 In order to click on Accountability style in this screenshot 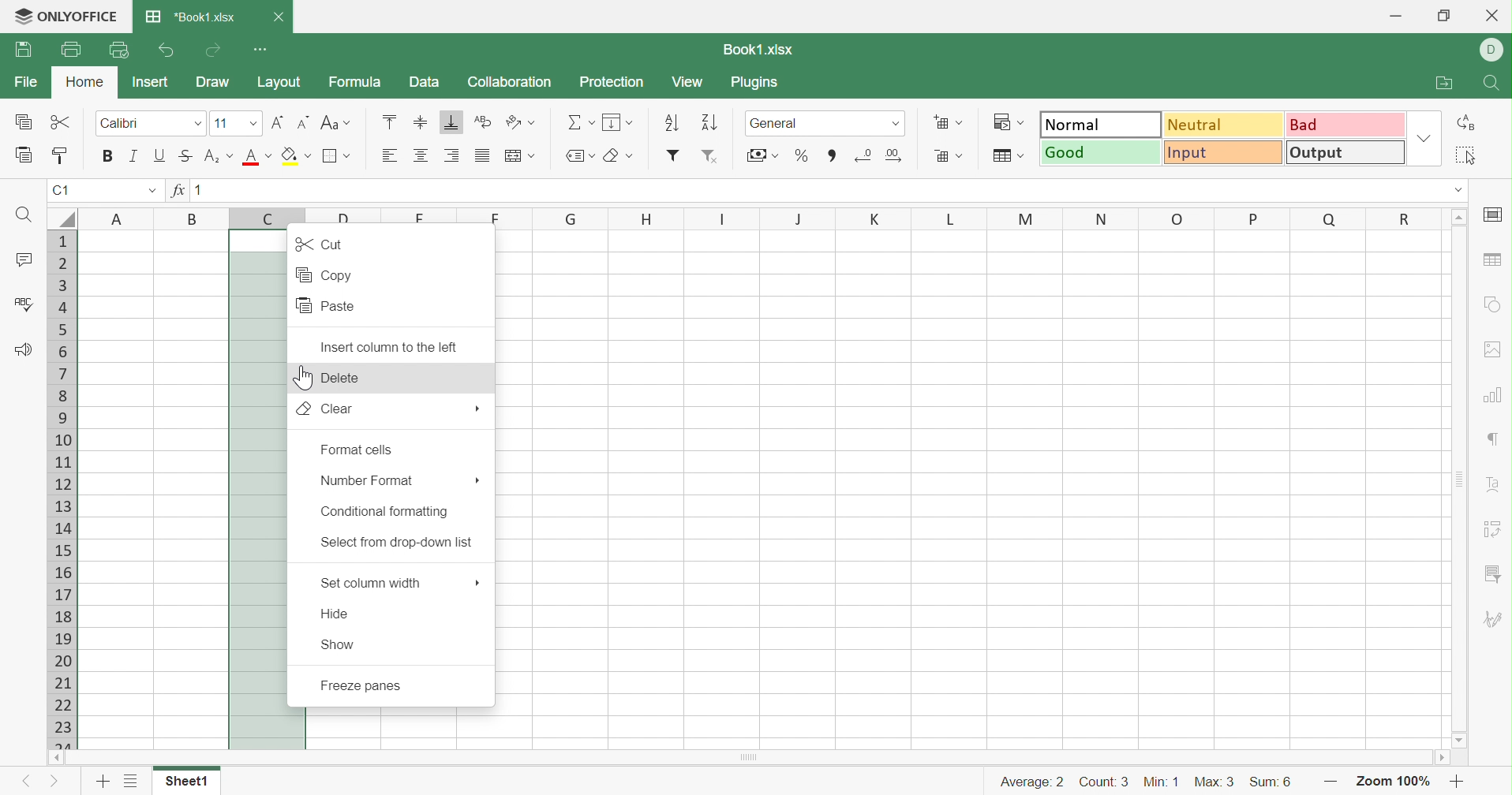, I will do `click(756, 155)`.